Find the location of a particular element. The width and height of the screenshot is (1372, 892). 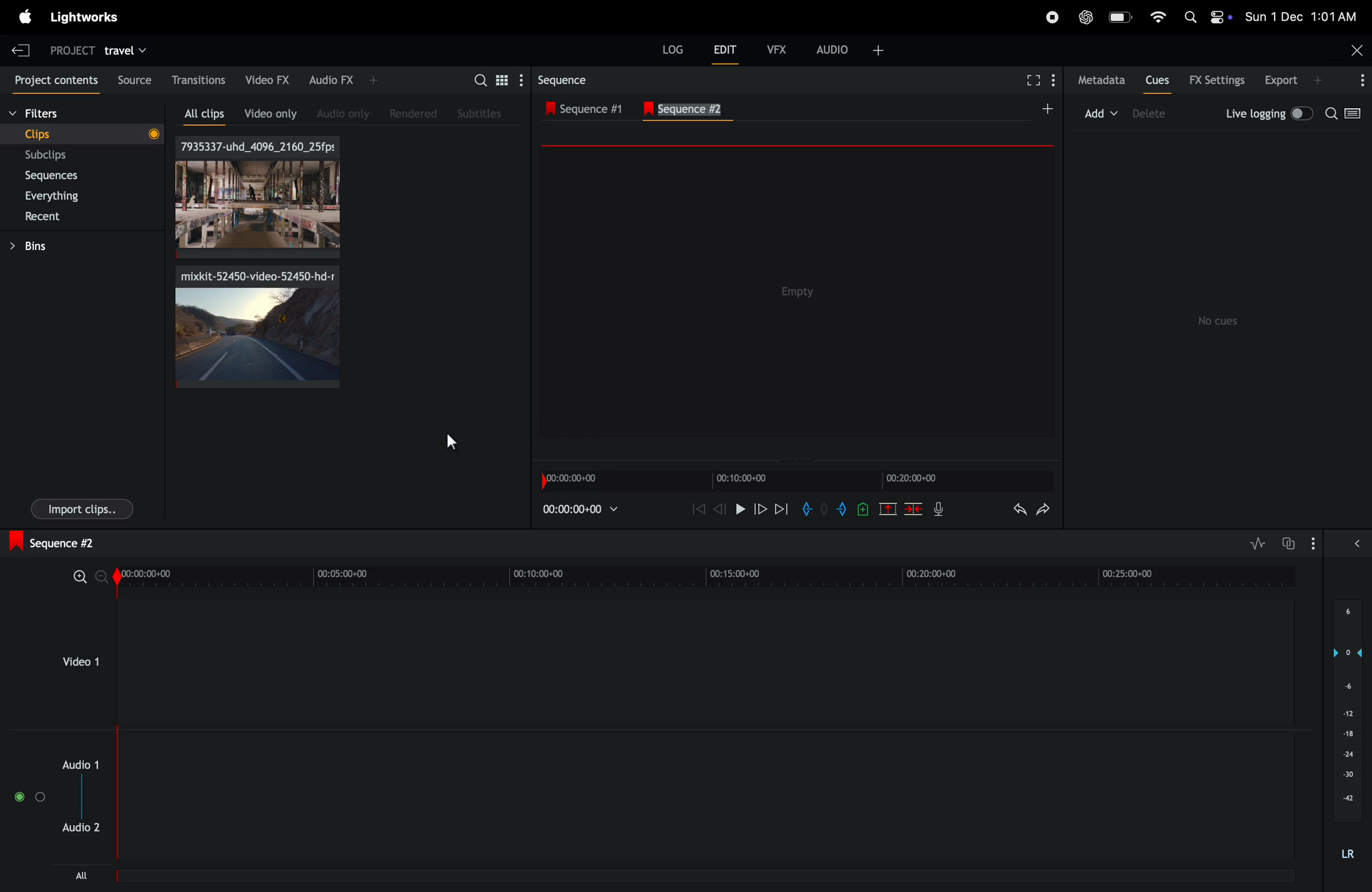

recents is located at coordinates (86, 217).